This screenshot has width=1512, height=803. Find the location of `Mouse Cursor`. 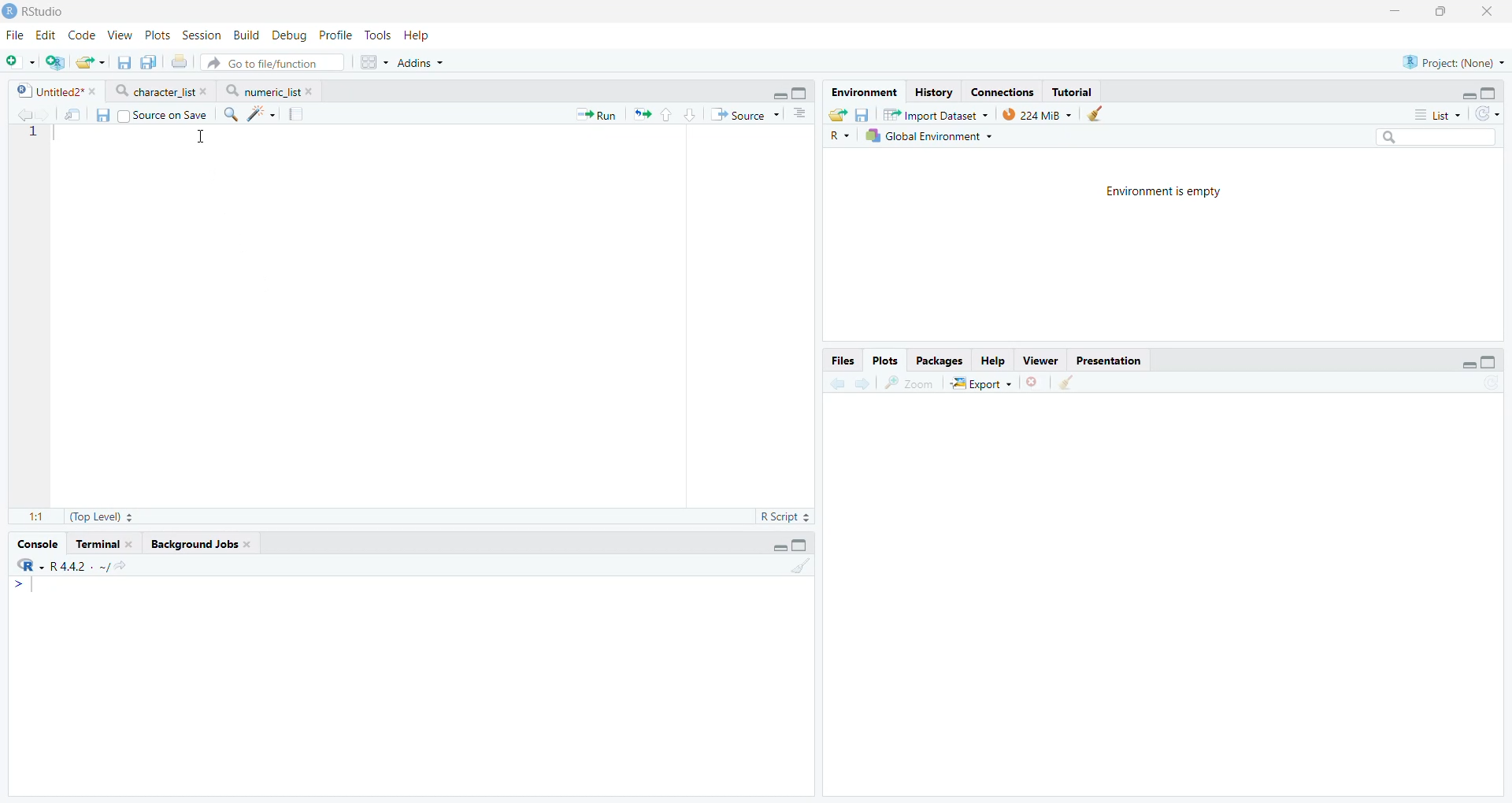

Mouse Cursor is located at coordinates (202, 139).